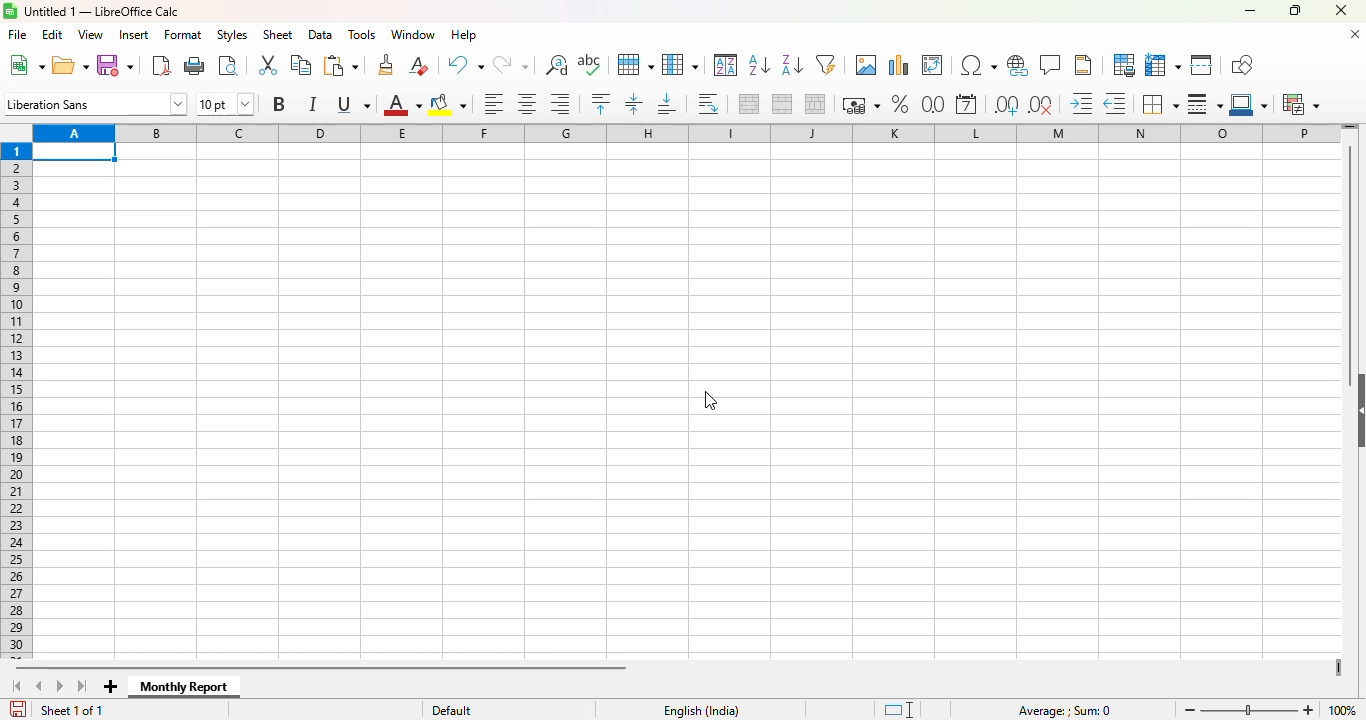  Describe the element at coordinates (1248, 11) in the screenshot. I see `minimize` at that location.